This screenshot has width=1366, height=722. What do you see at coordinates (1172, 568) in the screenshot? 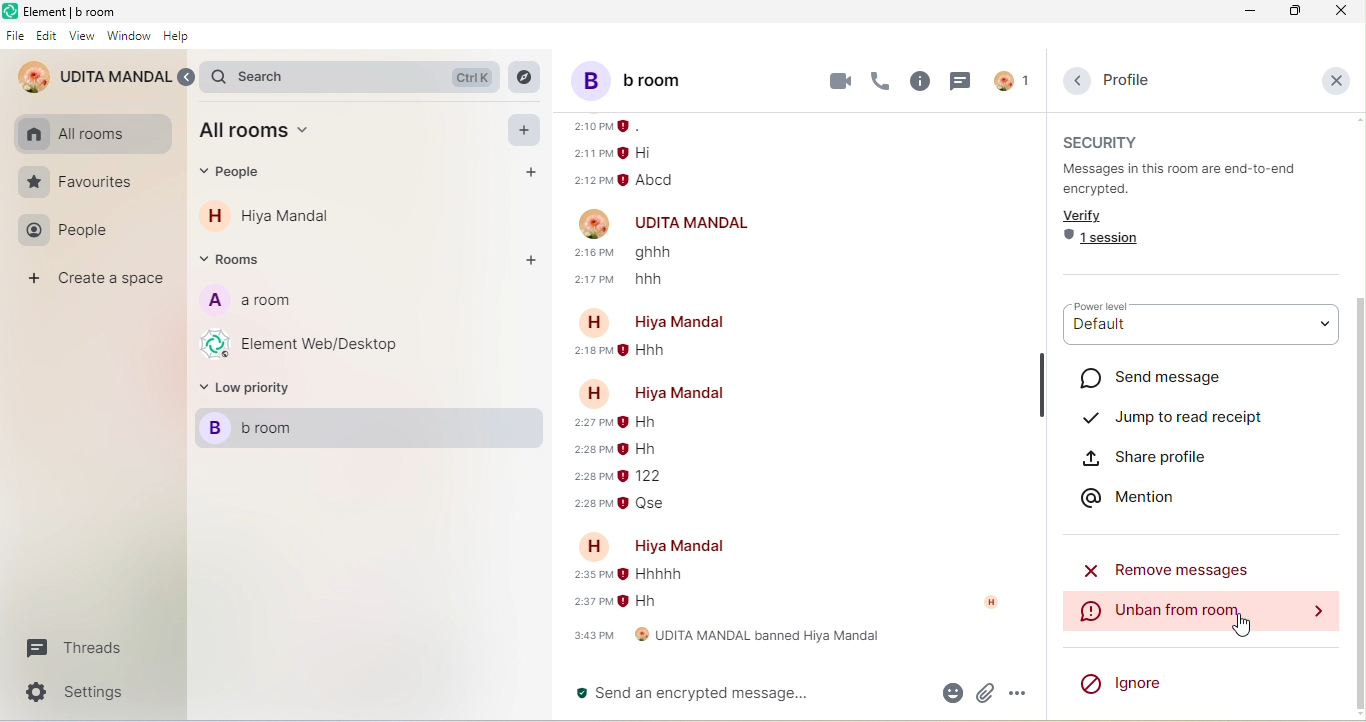
I see `remove messages` at bounding box center [1172, 568].